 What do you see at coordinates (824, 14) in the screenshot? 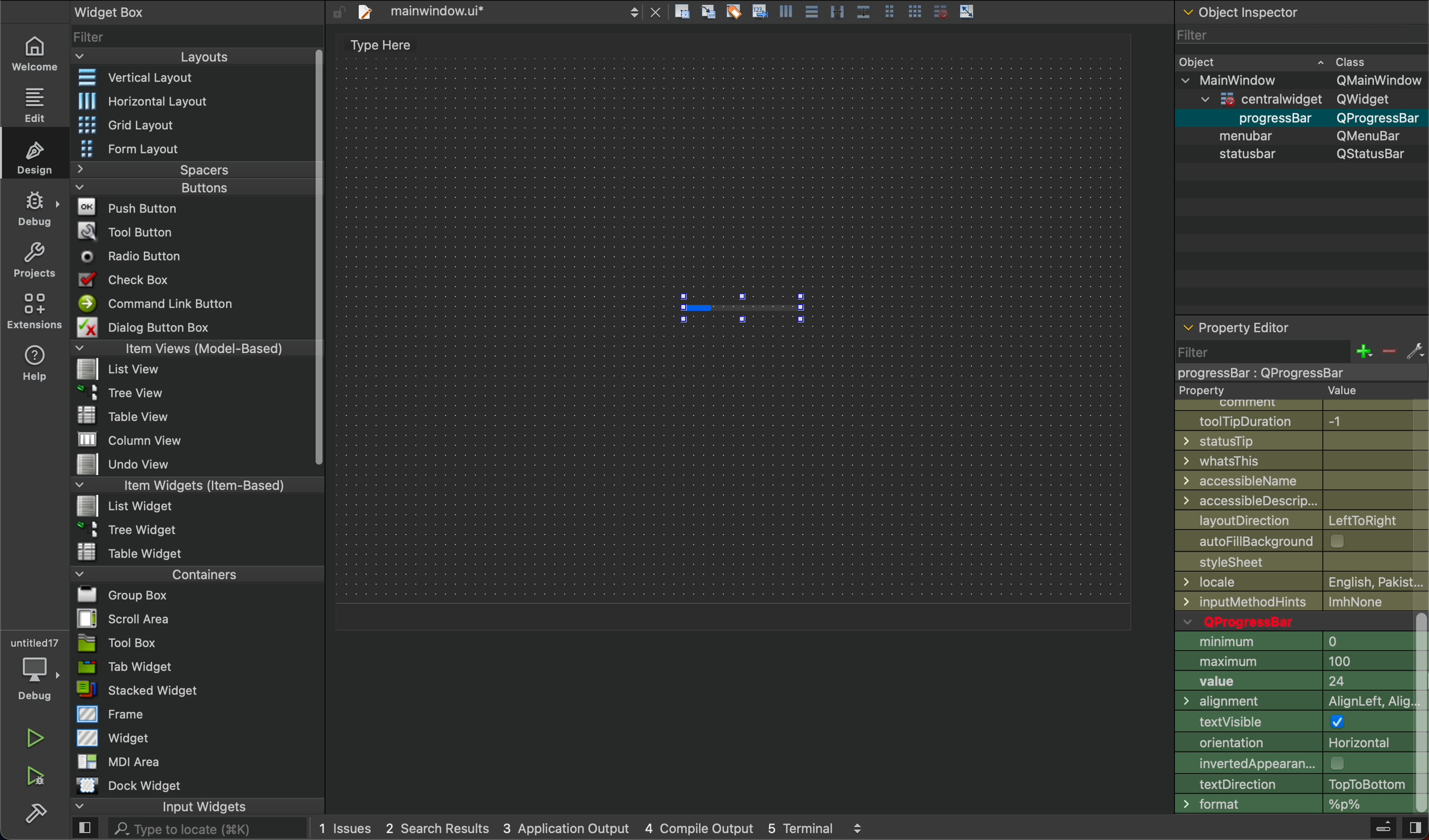
I see `layout actions buttons` at bounding box center [824, 14].